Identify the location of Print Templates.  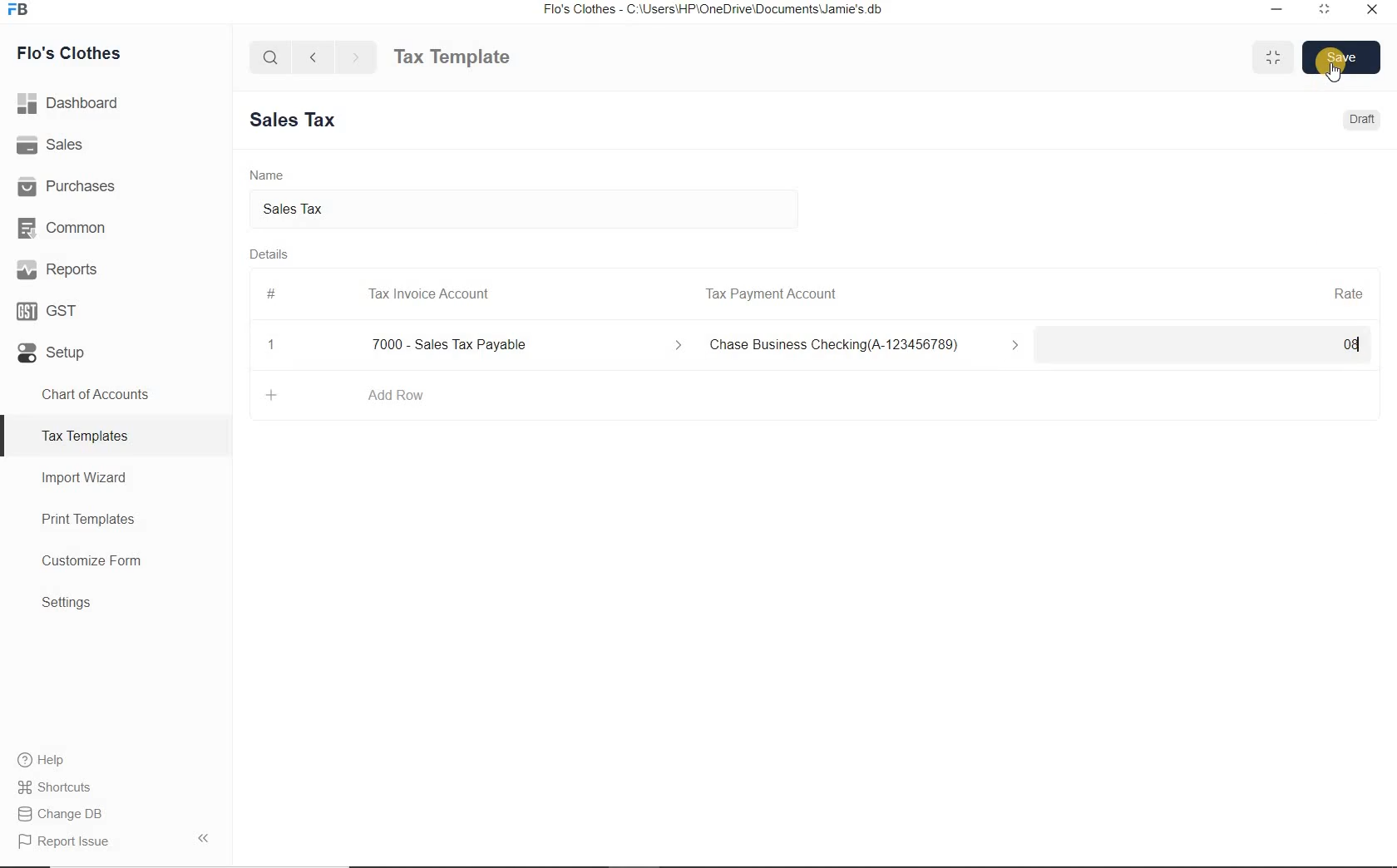
(116, 519).